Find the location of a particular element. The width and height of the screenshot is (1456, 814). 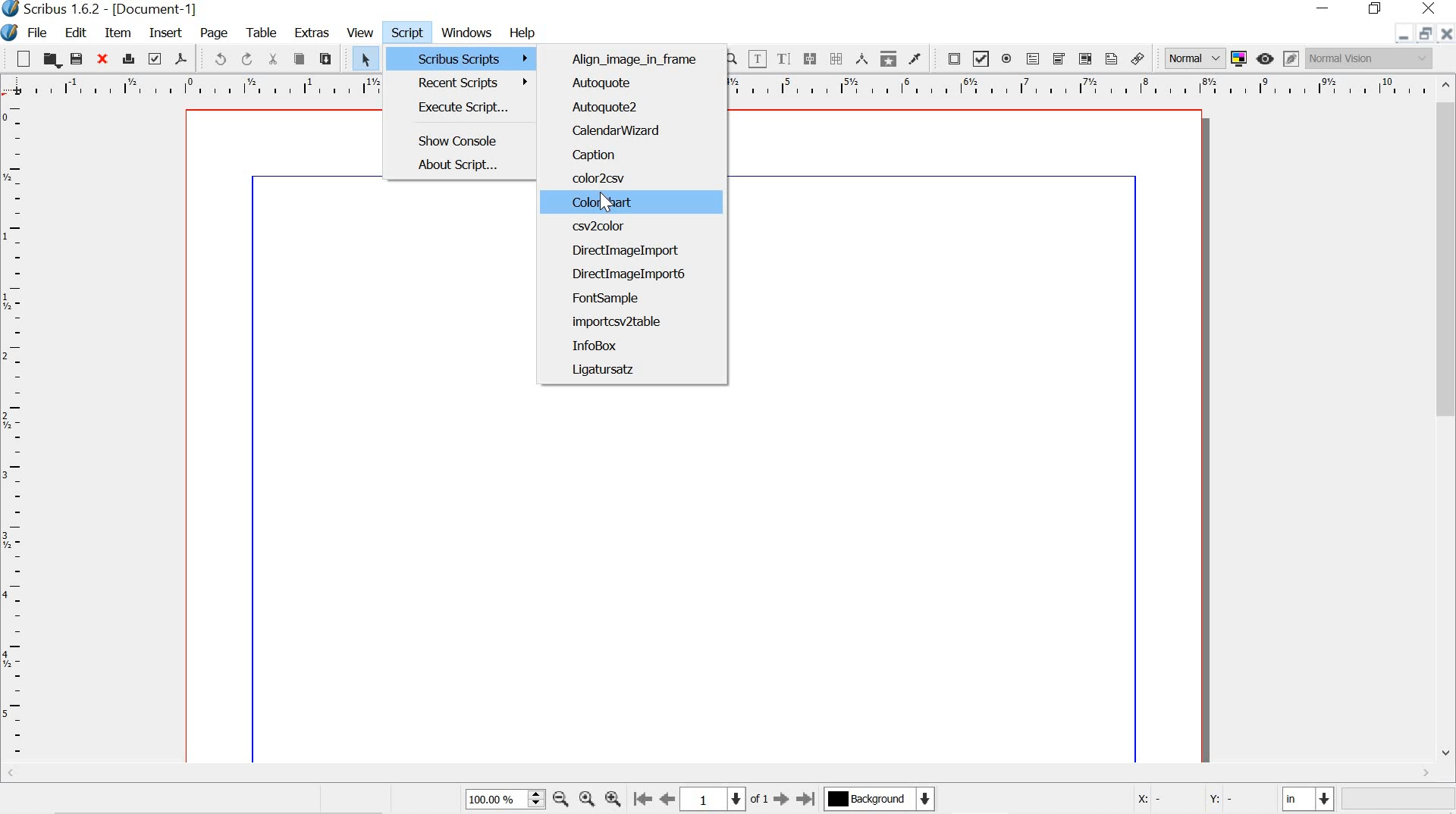

ruler is located at coordinates (1080, 87).